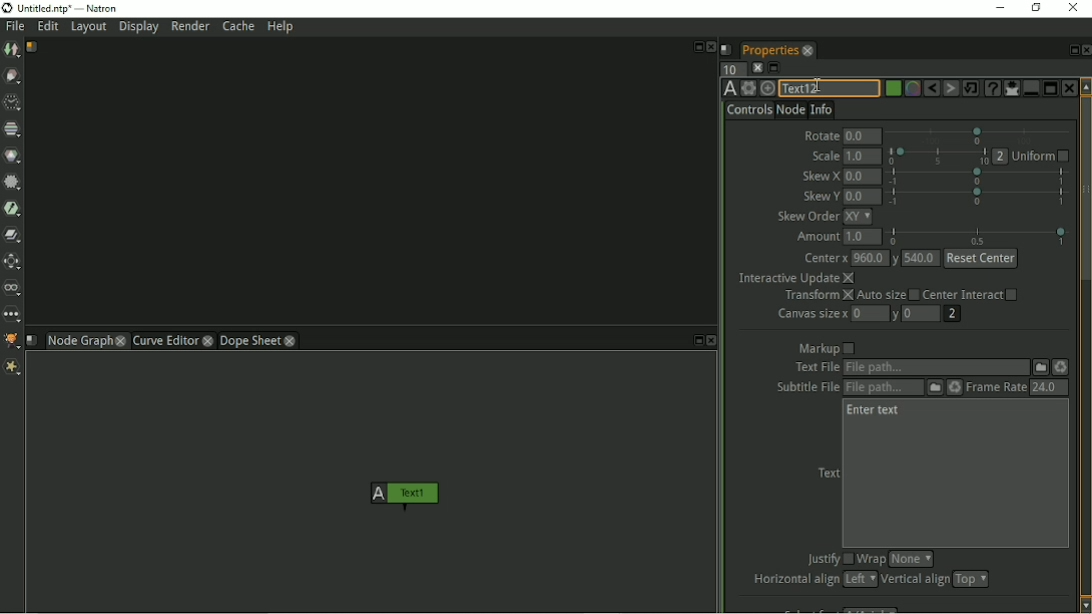  Describe the element at coordinates (14, 209) in the screenshot. I see `Keyer` at that location.